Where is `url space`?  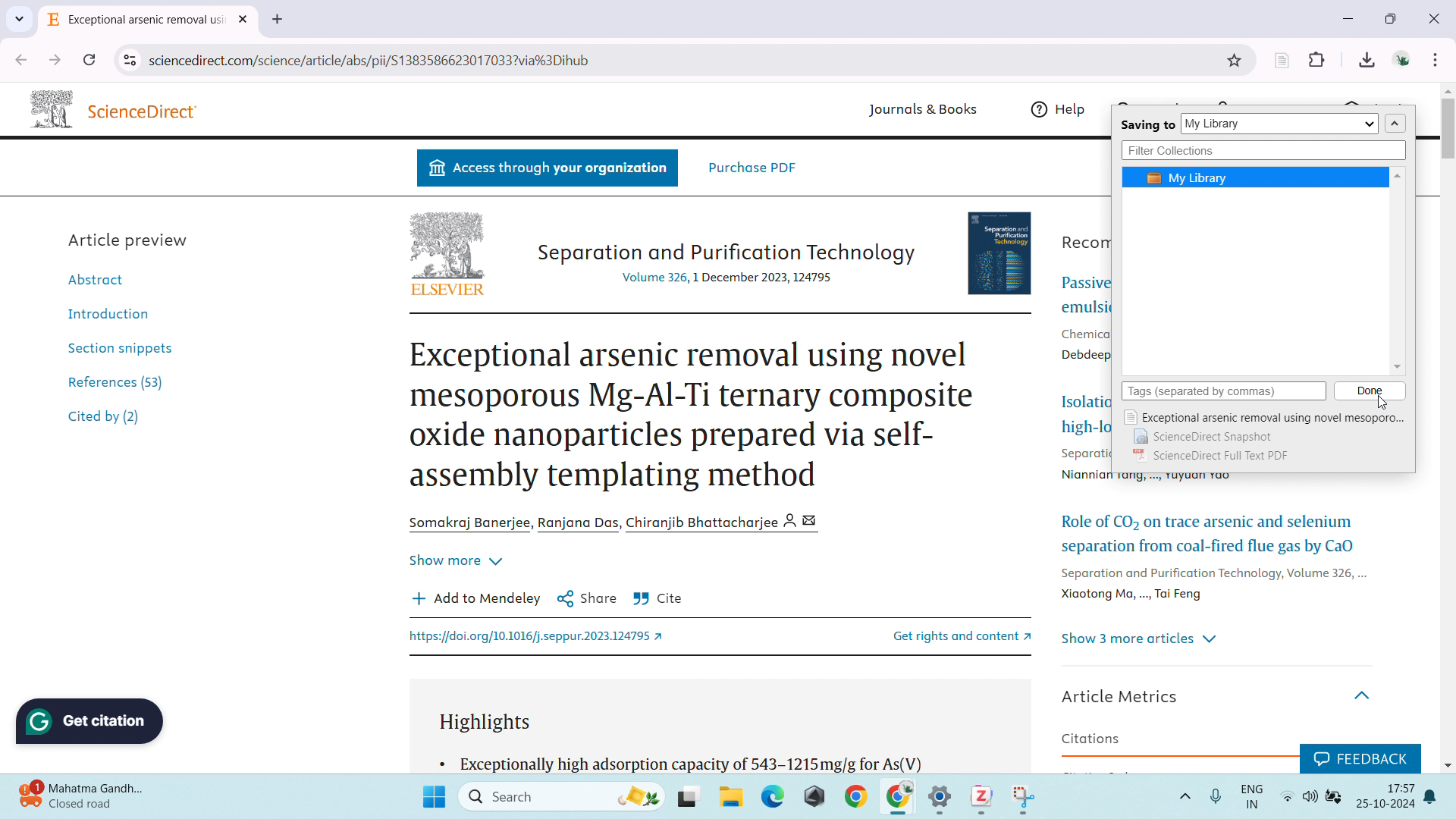 url space is located at coordinates (682, 60).